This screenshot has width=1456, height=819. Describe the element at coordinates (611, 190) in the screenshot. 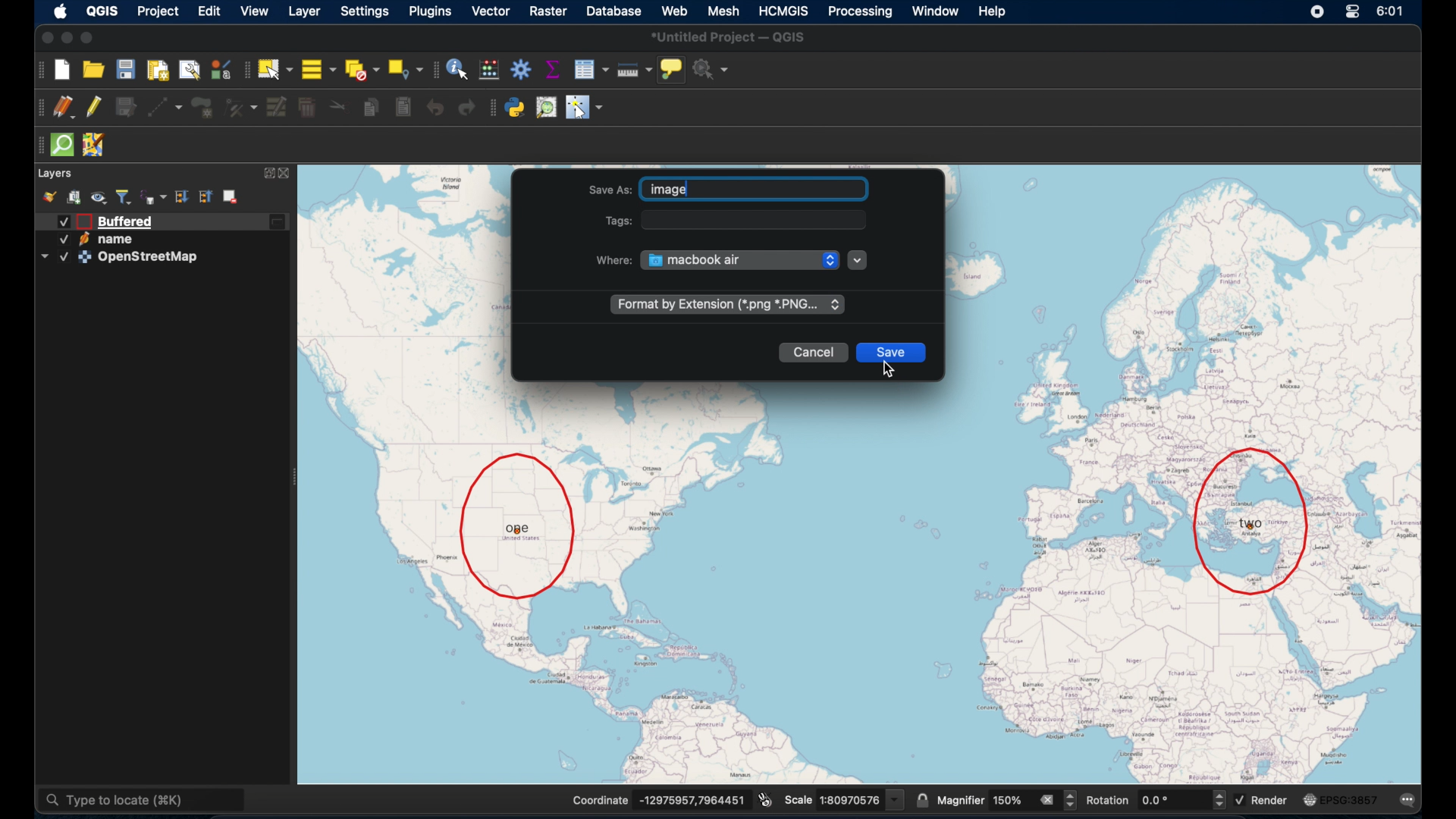

I see `Save As:` at that location.